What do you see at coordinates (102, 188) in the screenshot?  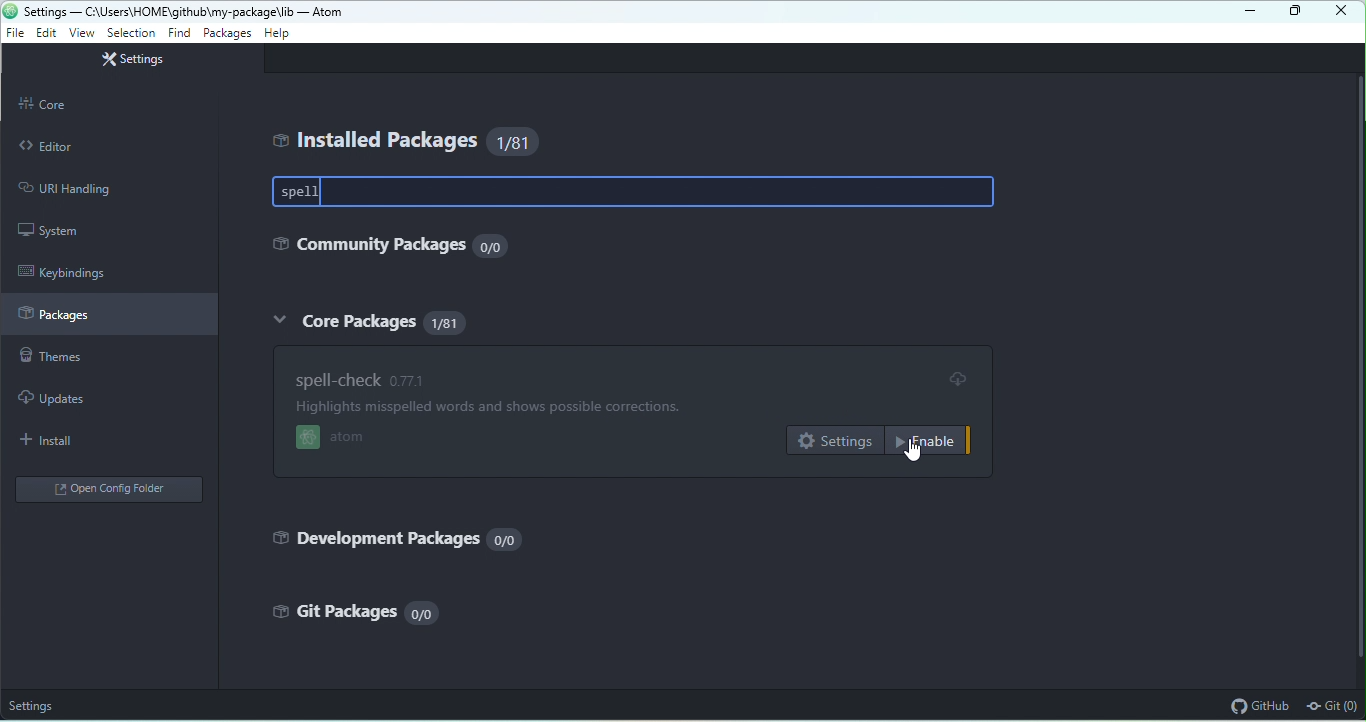 I see `URI handling` at bounding box center [102, 188].